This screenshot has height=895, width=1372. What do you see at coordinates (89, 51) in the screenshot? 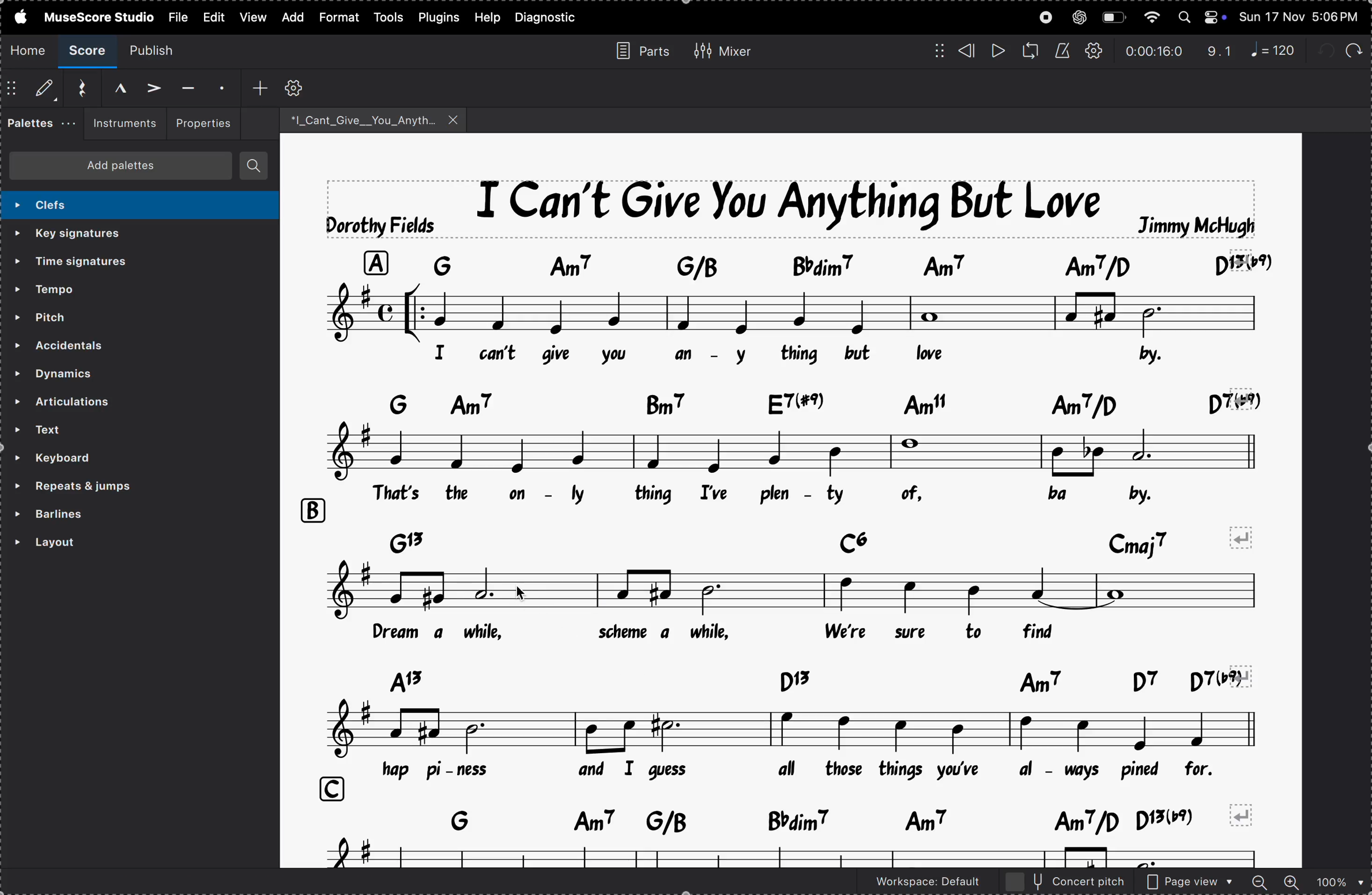
I see `score` at bounding box center [89, 51].